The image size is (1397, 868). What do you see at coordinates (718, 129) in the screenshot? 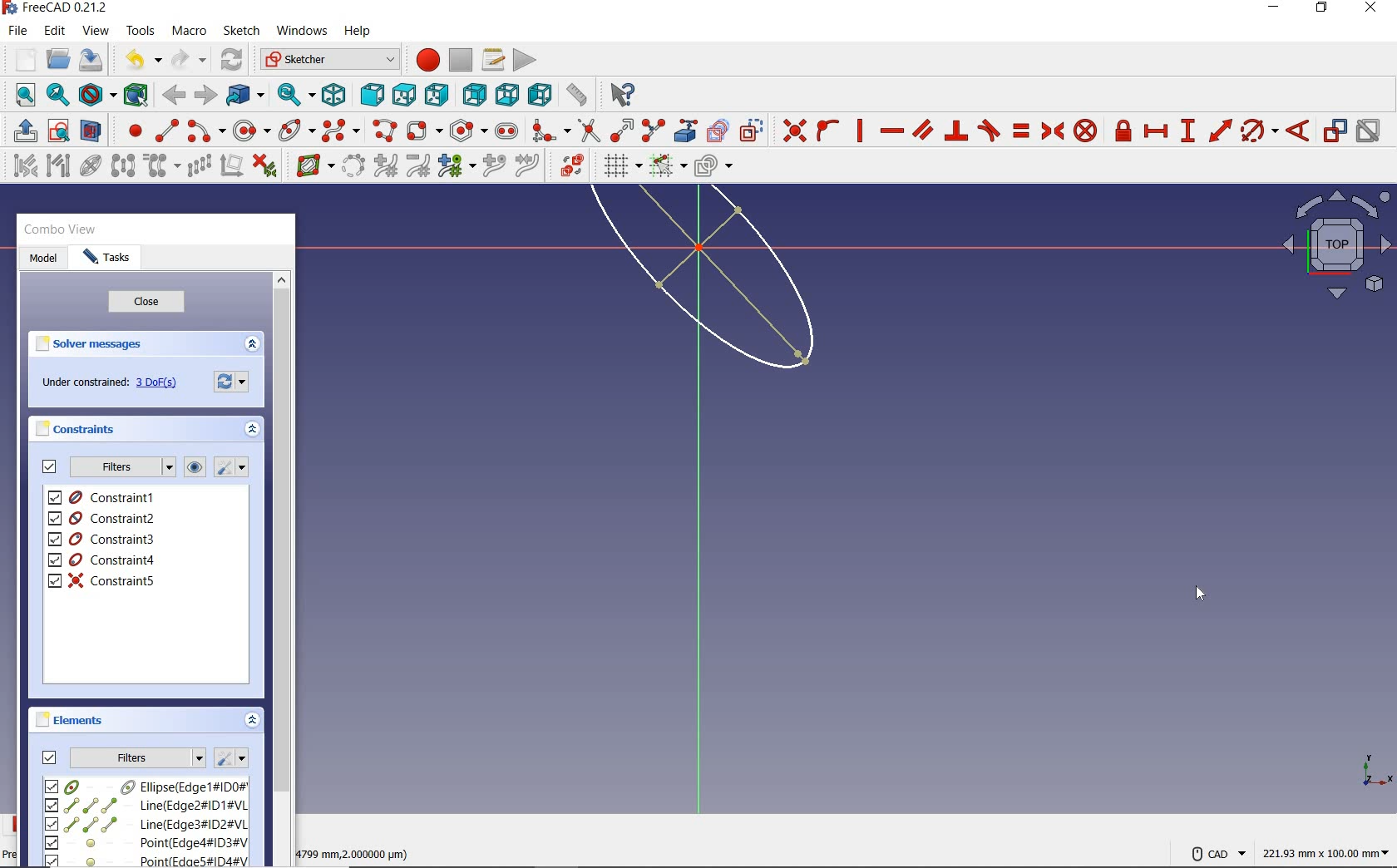
I see `create carbon copy` at bounding box center [718, 129].